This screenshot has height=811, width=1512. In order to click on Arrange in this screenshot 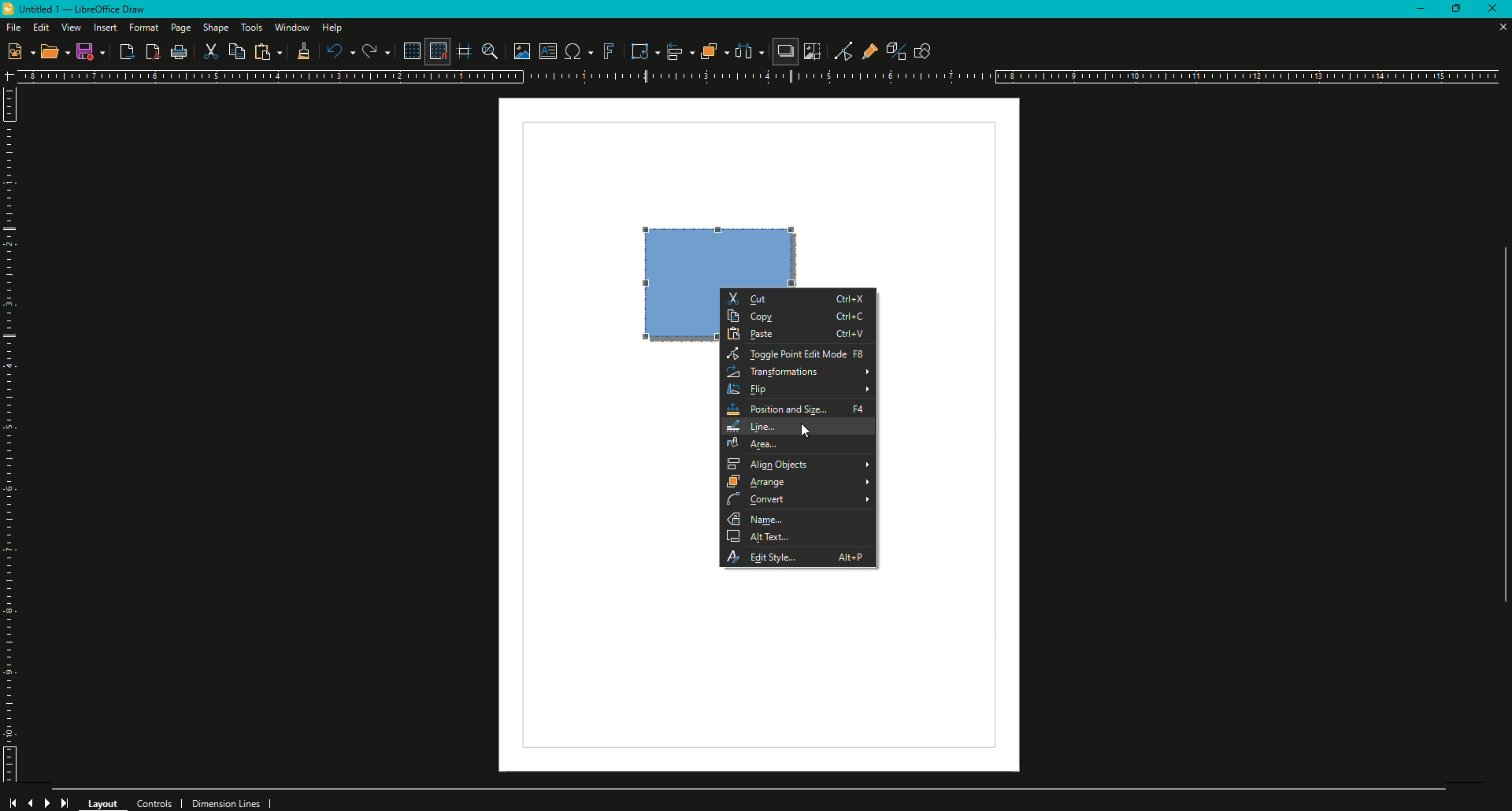, I will do `click(709, 51)`.